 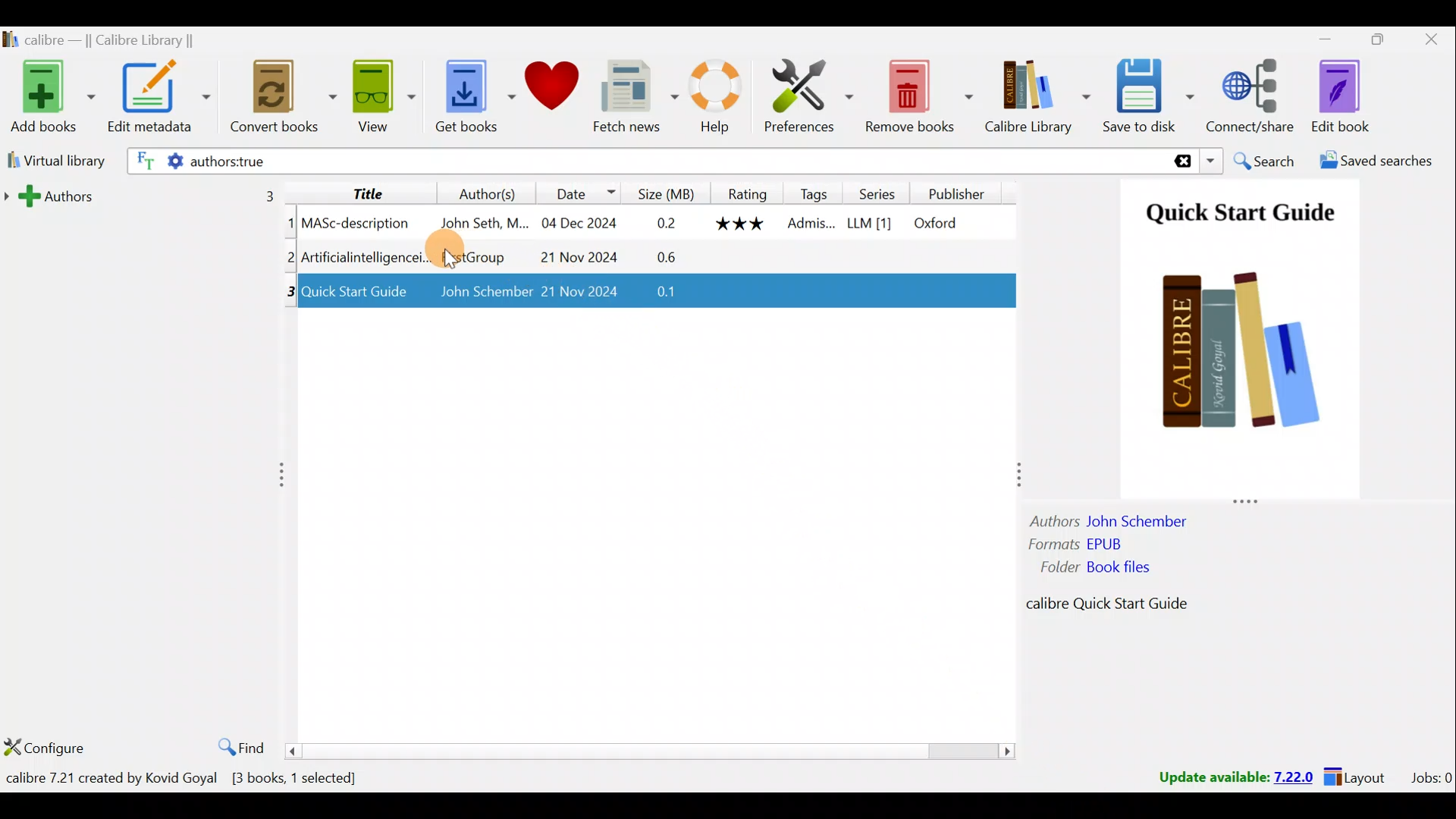 I want to click on Add books, so click(x=49, y=97).